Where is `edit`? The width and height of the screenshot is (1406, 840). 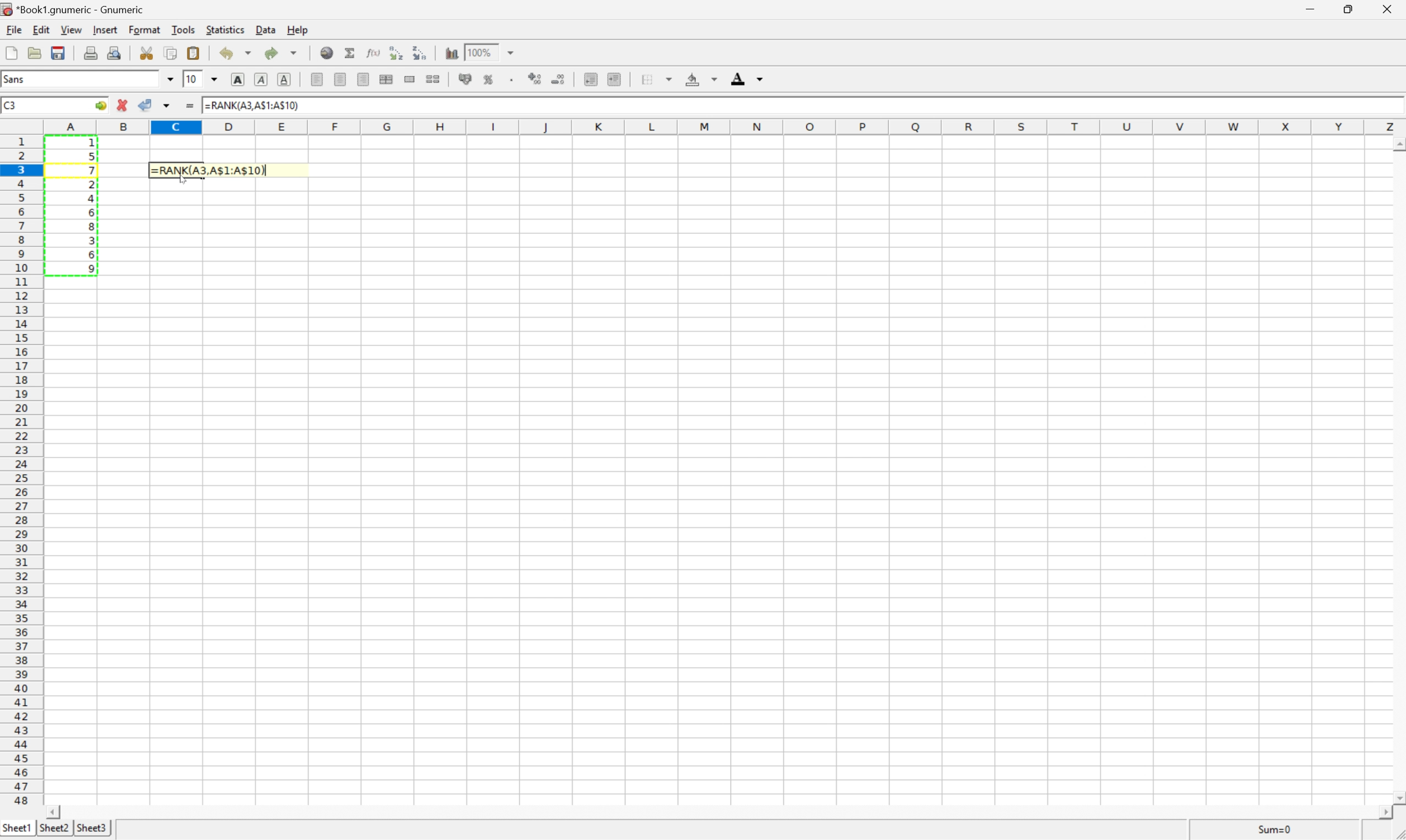
edit is located at coordinates (41, 29).